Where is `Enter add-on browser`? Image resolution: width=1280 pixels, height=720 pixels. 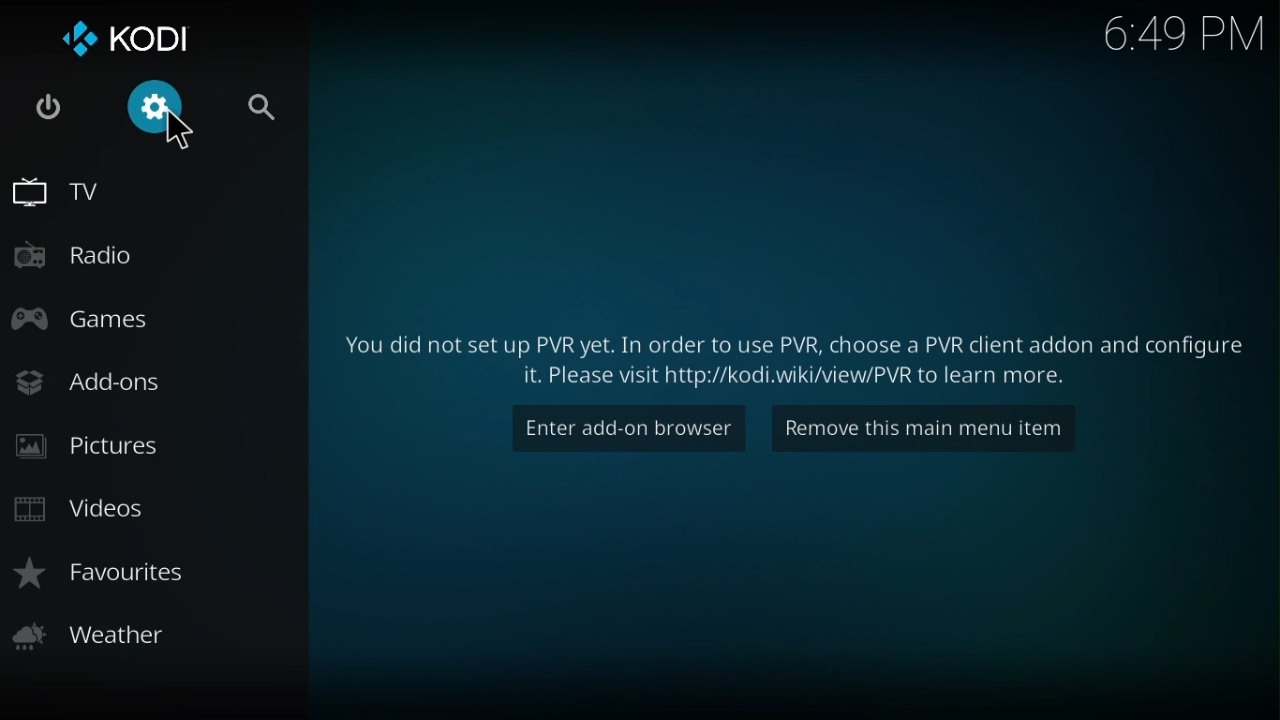 Enter add-on browser is located at coordinates (623, 429).